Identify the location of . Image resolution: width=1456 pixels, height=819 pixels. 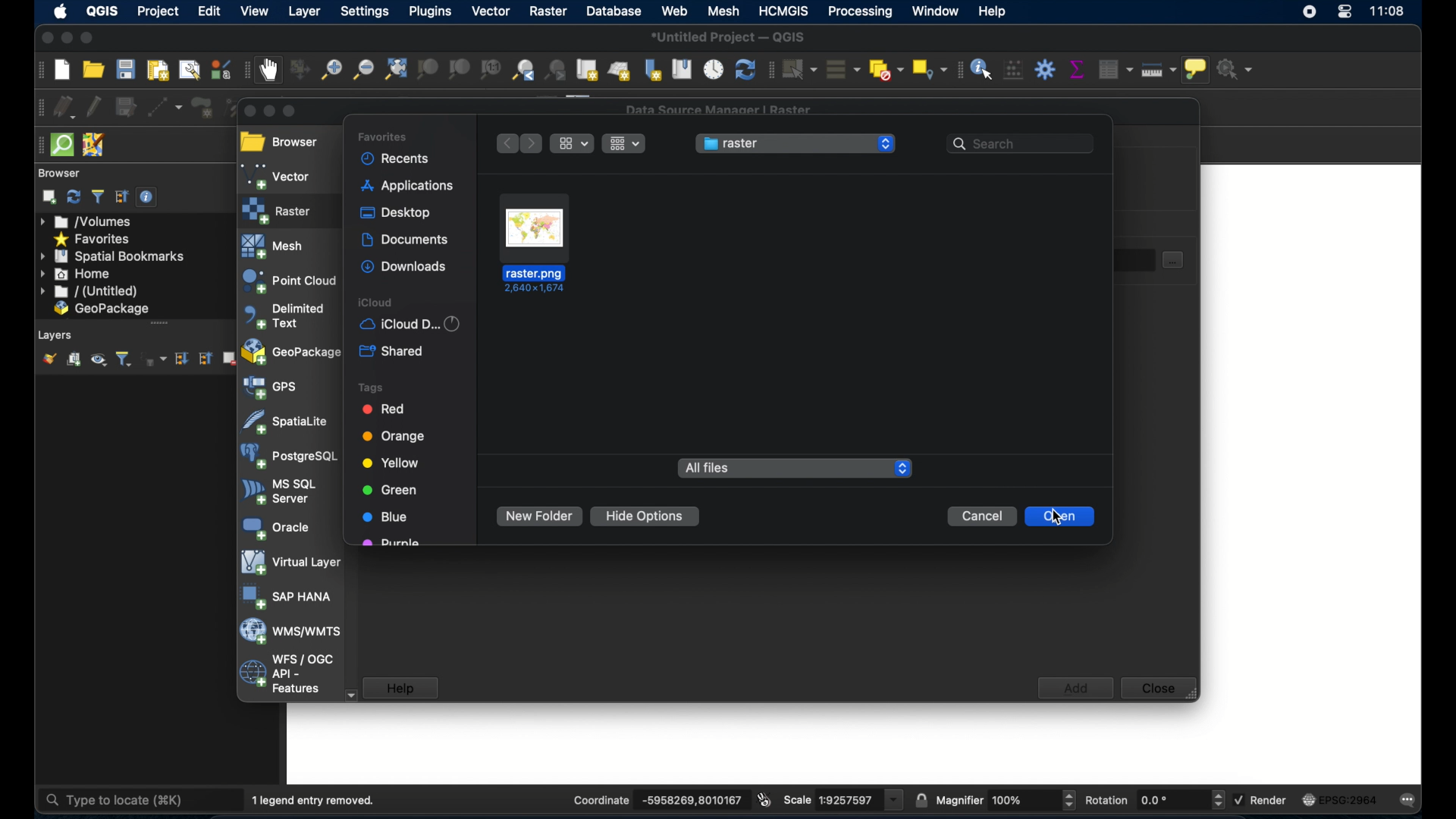
(1012, 800).